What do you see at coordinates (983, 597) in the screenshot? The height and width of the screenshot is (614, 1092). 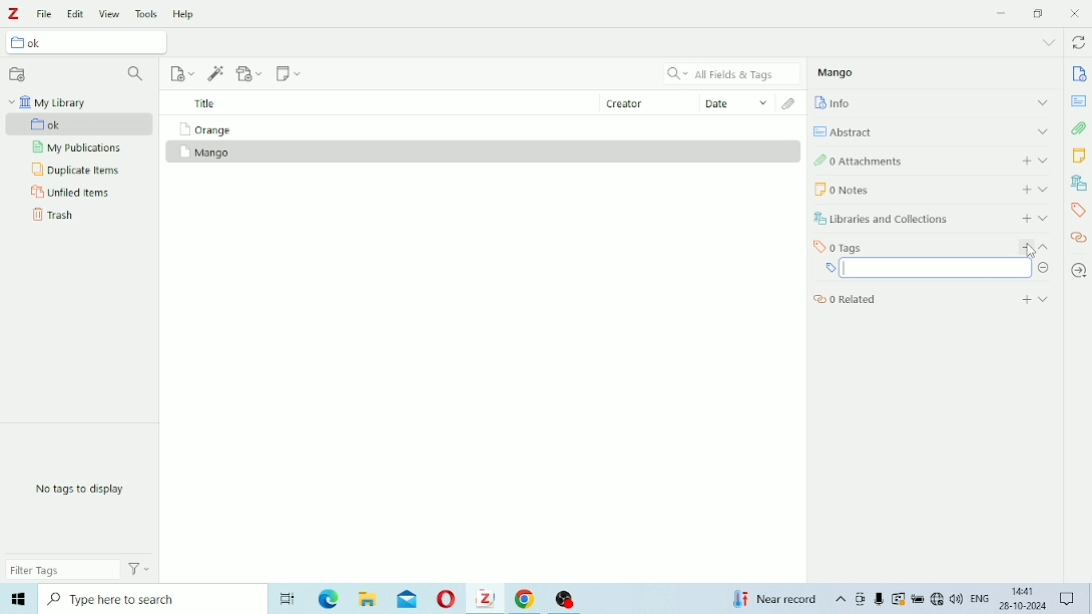 I see `ENG` at bounding box center [983, 597].